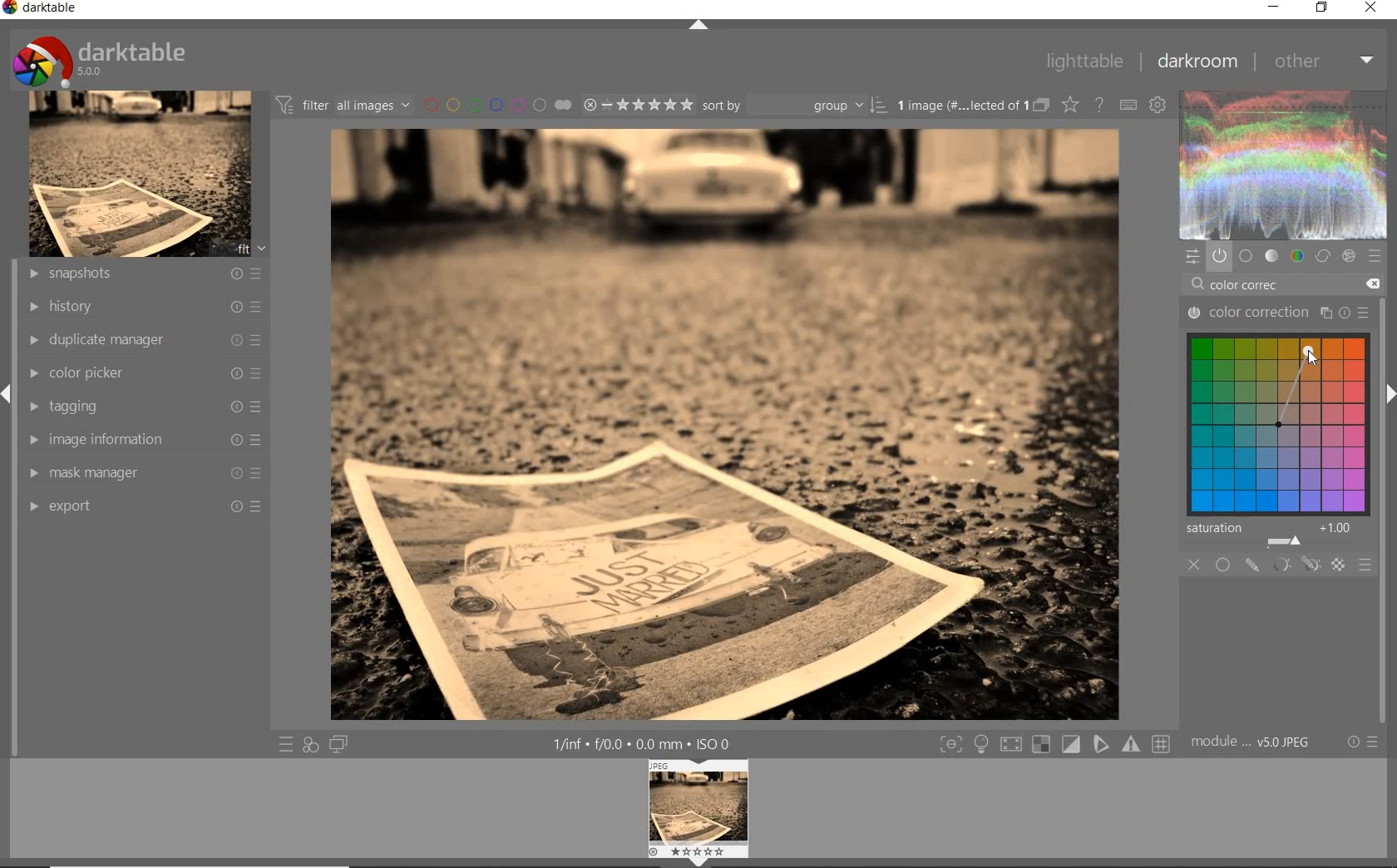 This screenshot has height=868, width=1397. Describe the element at coordinates (1348, 256) in the screenshot. I see `effect` at that location.